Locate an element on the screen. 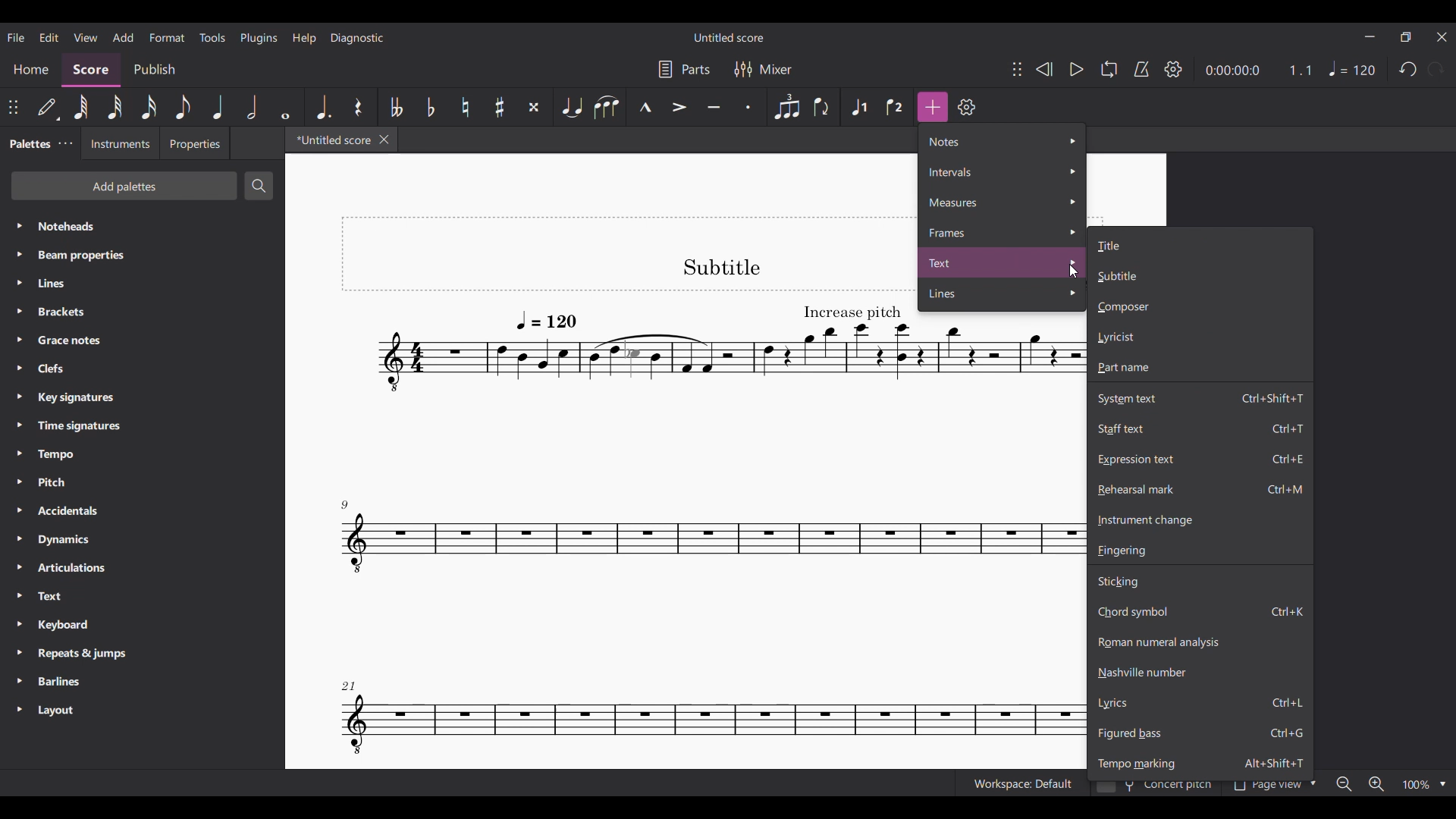  Notes options is located at coordinates (1003, 141).